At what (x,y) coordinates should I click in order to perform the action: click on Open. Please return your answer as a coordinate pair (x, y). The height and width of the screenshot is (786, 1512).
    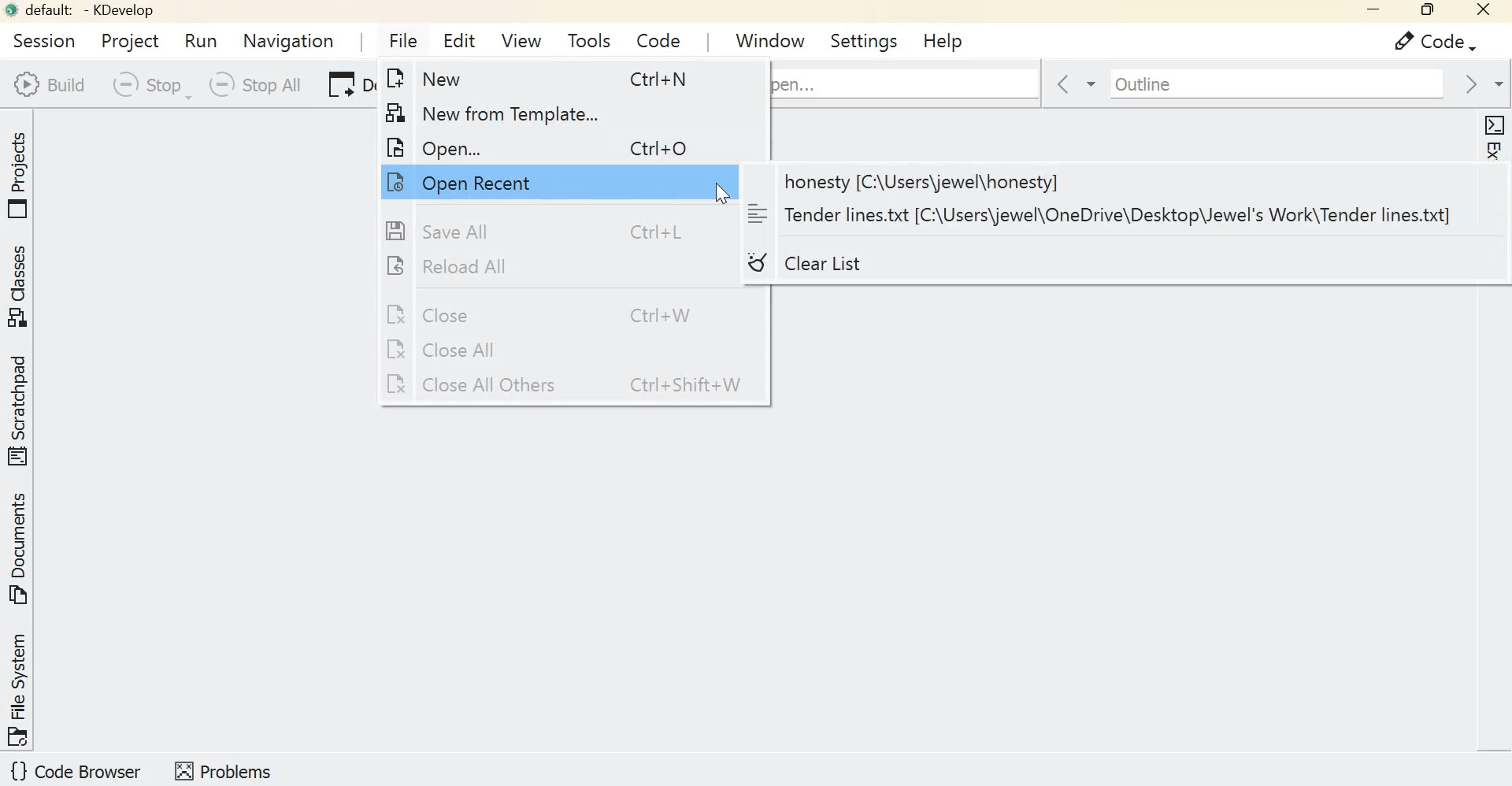
    Looking at the image, I should click on (548, 145).